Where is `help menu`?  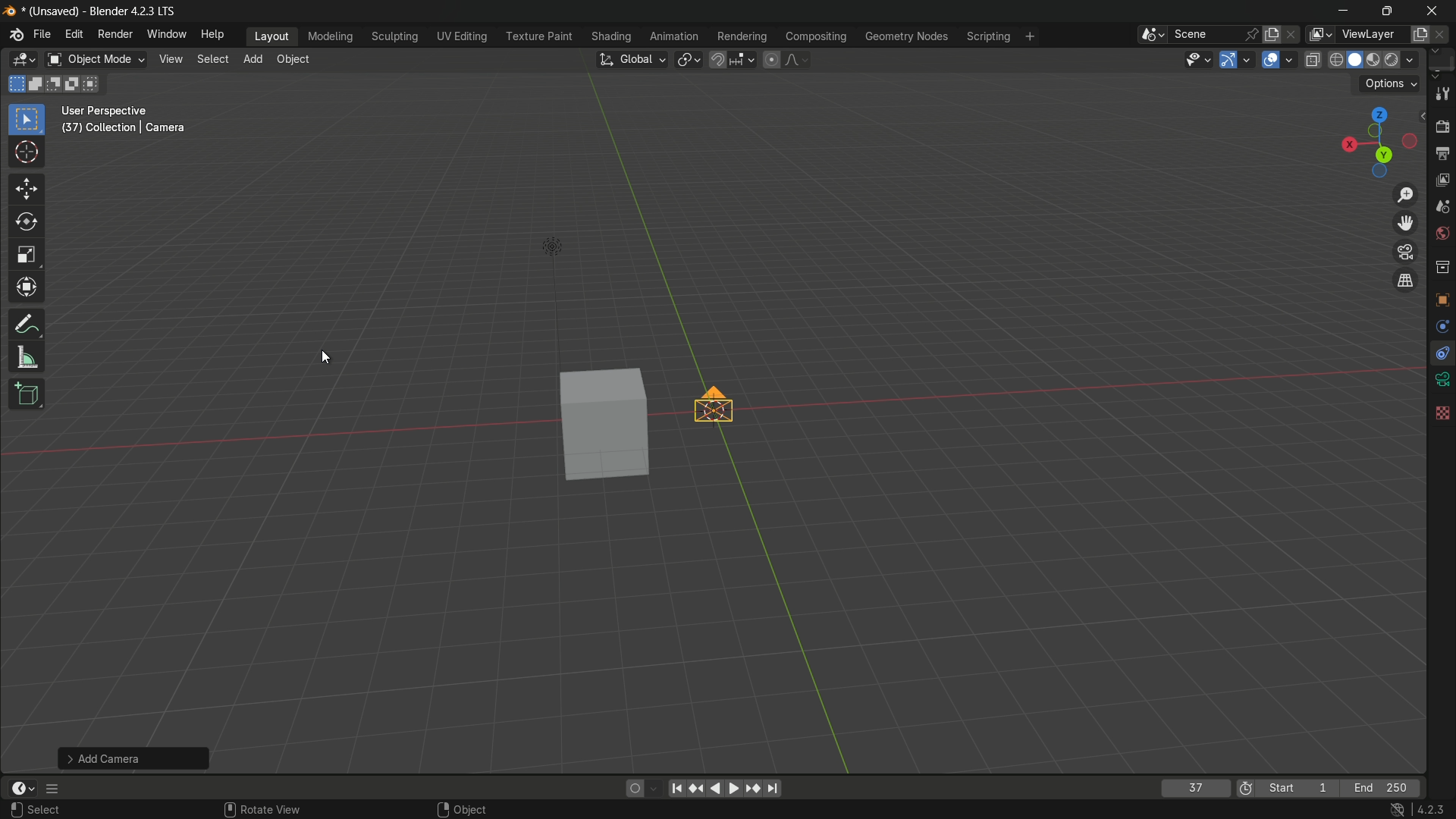 help menu is located at coordinates (212, 35).